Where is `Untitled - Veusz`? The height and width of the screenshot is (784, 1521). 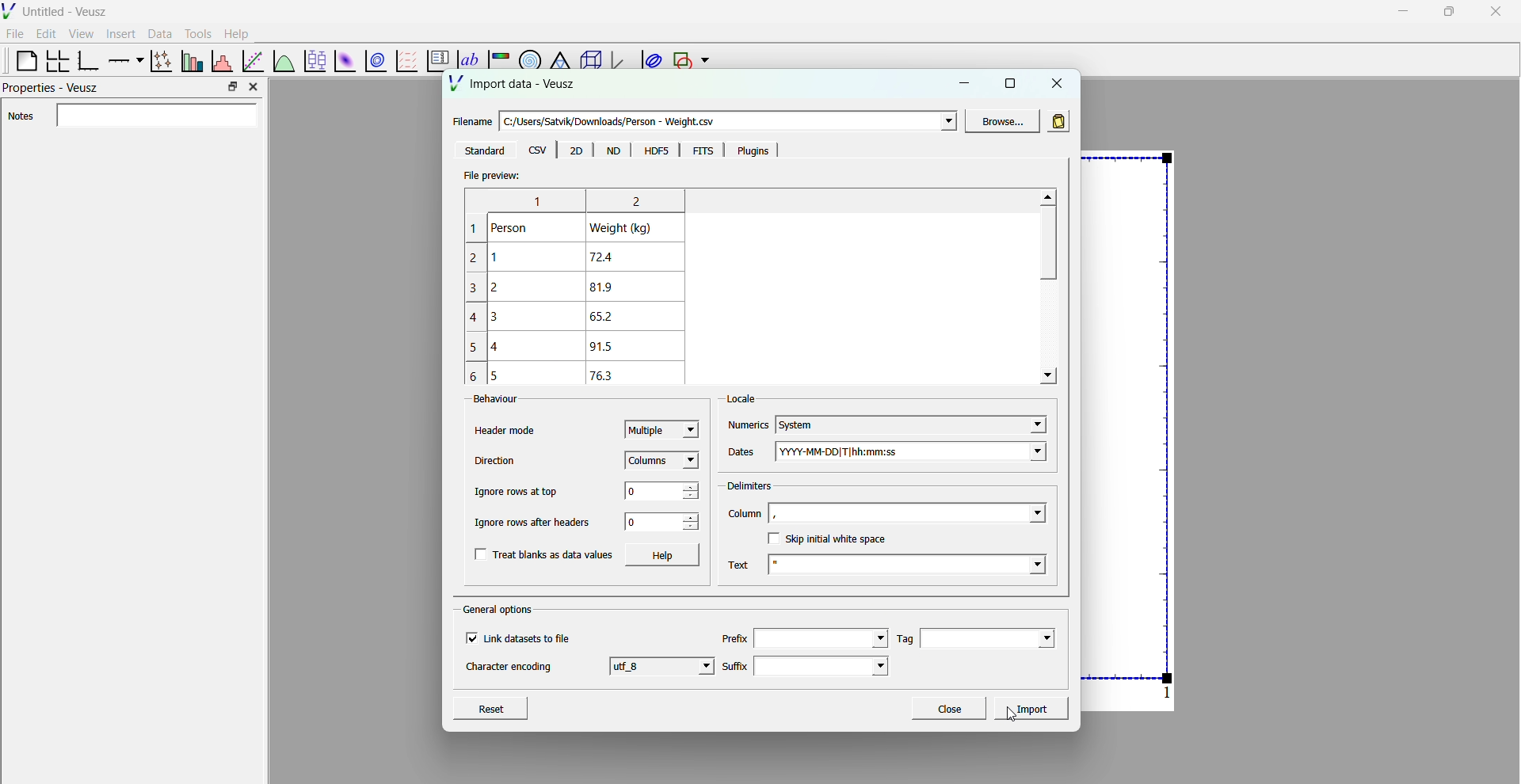 Untitled - Veusz is located at coordinates (67, 12).